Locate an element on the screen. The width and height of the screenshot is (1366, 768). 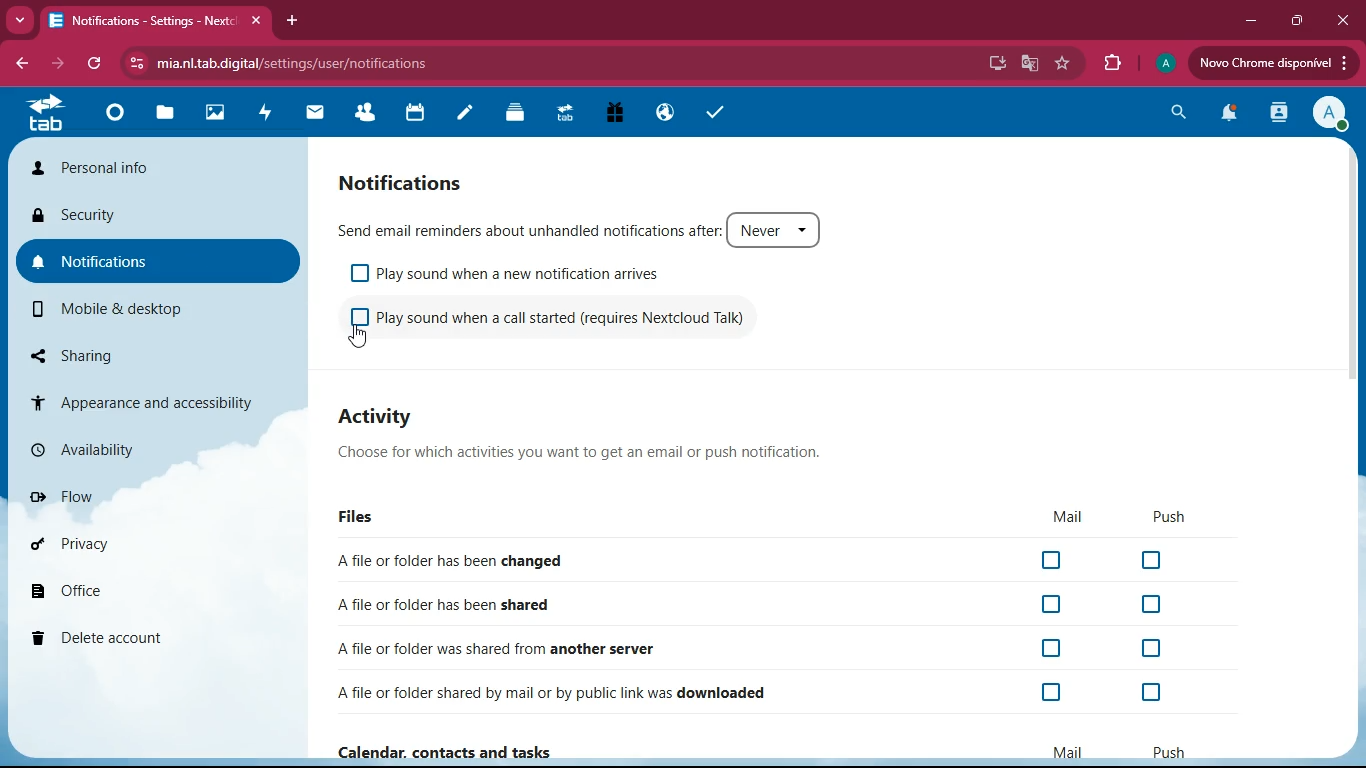
changed is located at coordinates (456, 558).